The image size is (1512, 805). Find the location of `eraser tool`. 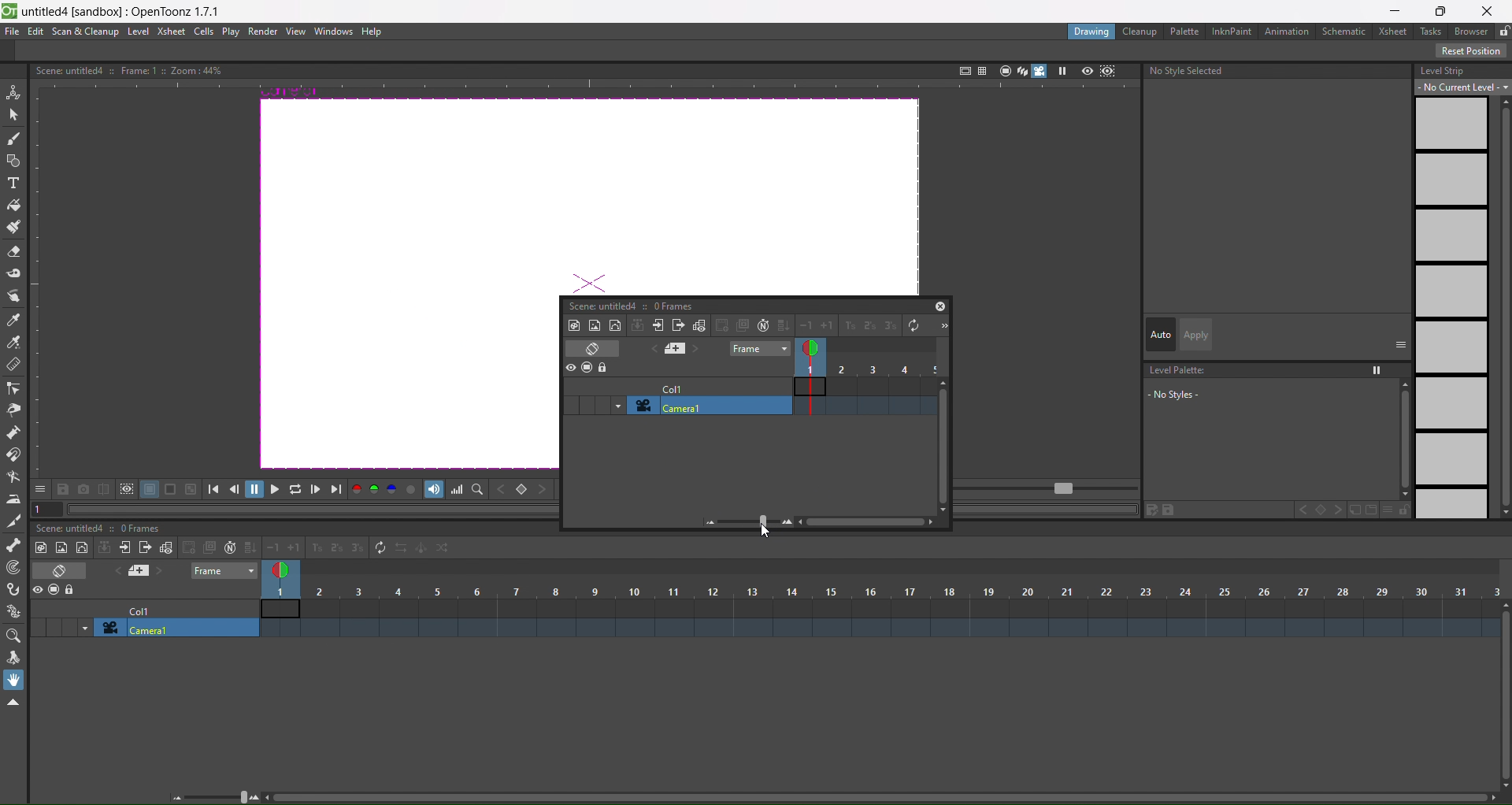

eraser tool is located at coordinates (14, 253).